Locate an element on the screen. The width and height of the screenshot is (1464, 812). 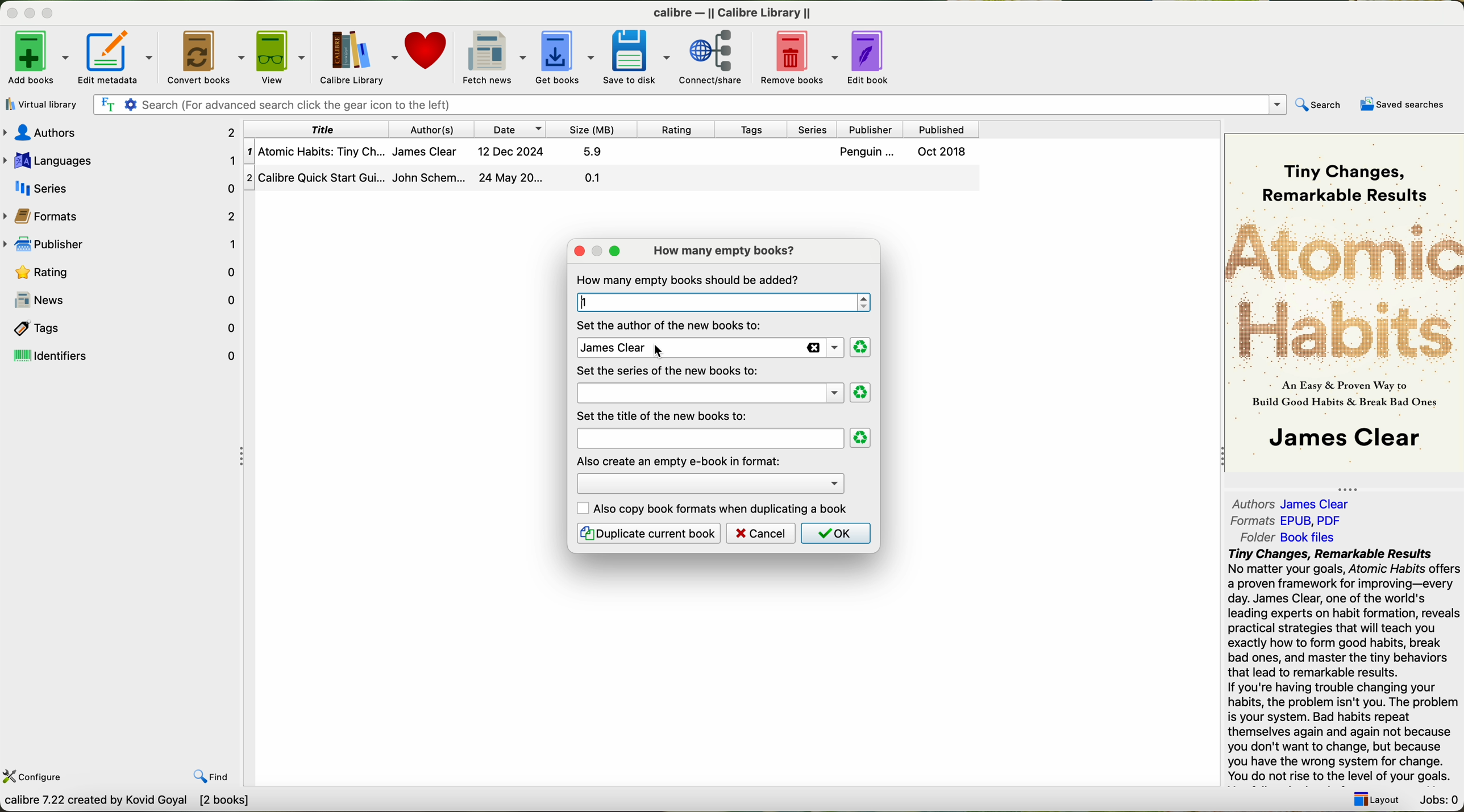
clear is located at coordinates (862, 393).